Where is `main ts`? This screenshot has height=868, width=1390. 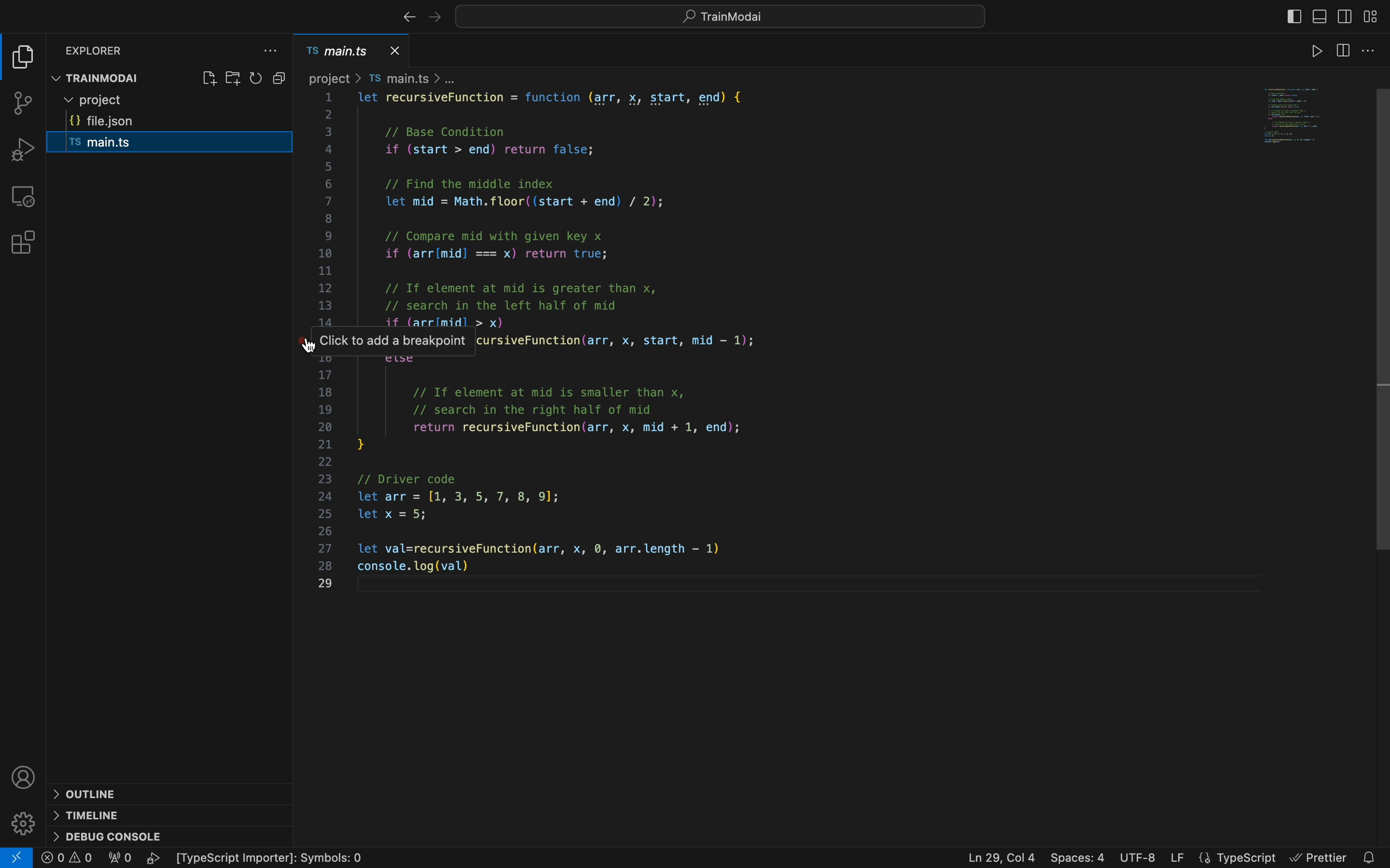
main ts is located at coordinates (169, 140).